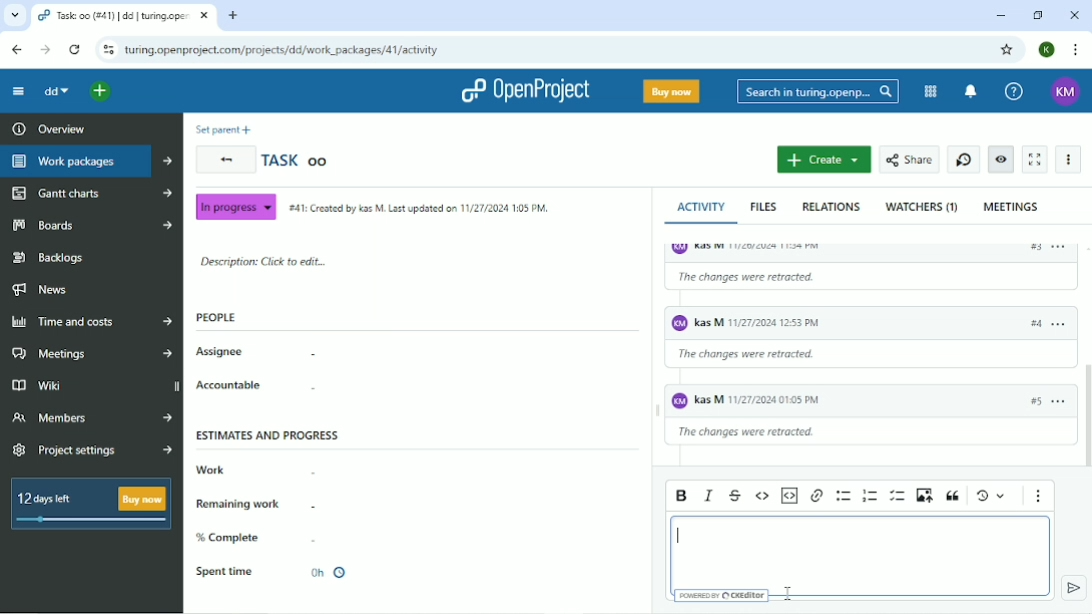 This screenshot has height=614, width=1092. I want to click on To notification center, so click(970, 92).